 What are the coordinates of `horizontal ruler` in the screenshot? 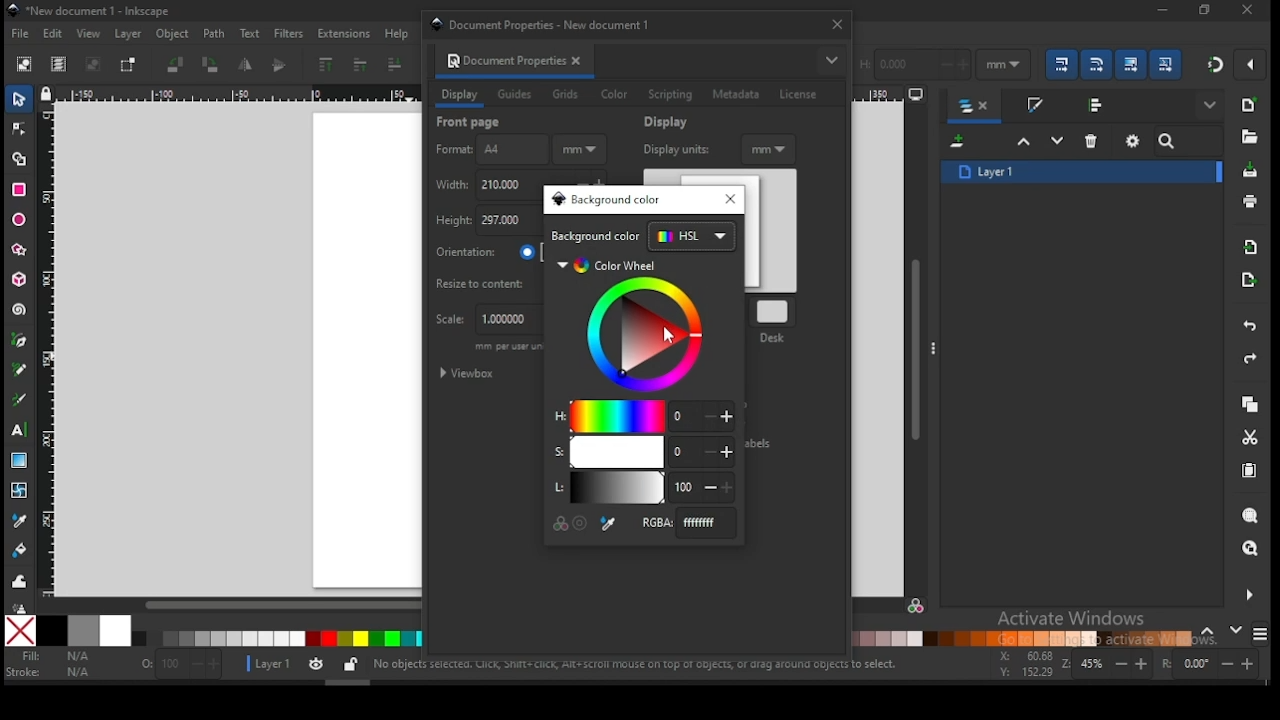 It's located at (892, 96).